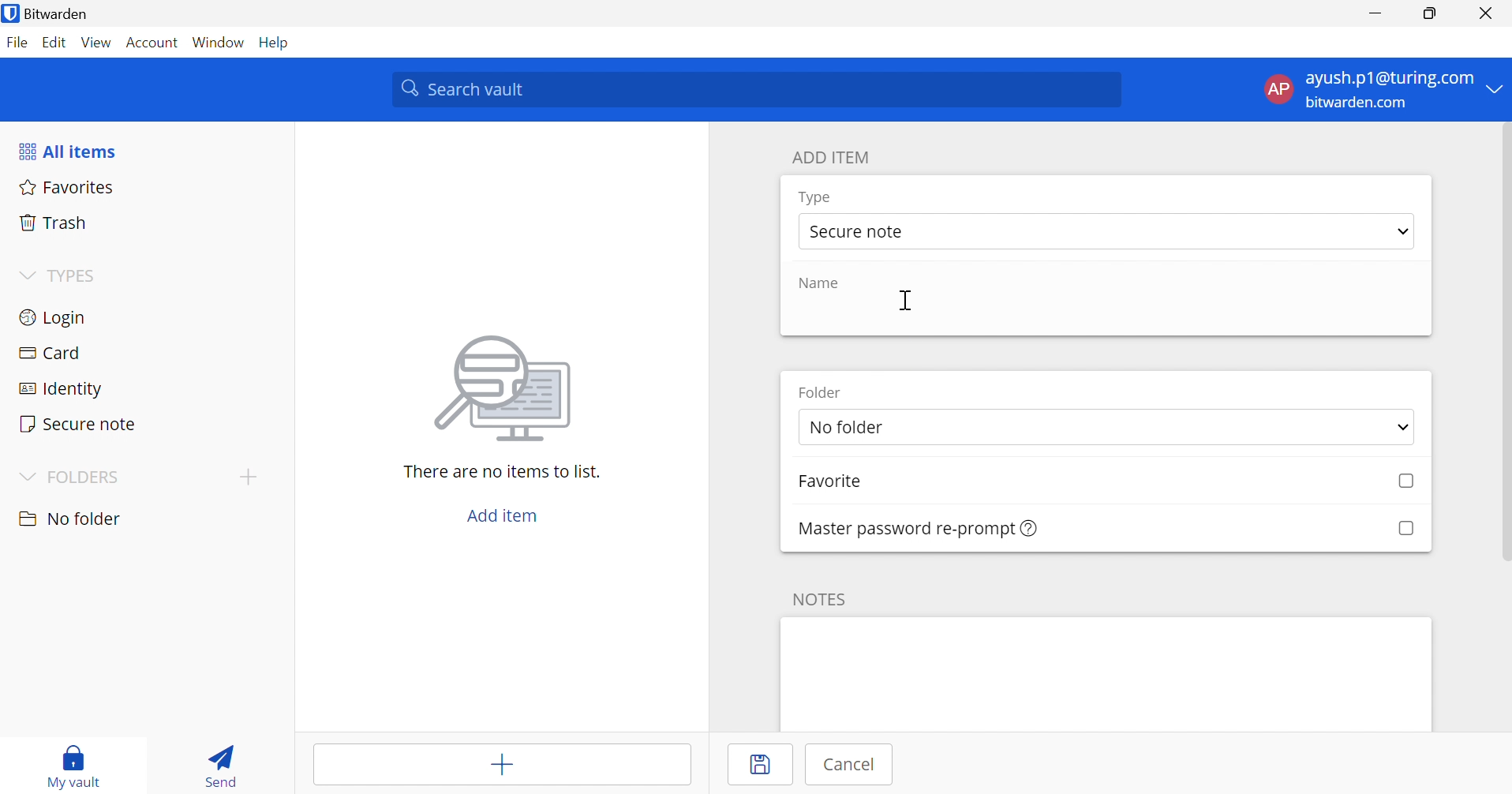 Image resolution: width=1512 pixels, height=794 pixels. I want to click on Add item, so click(501, 516).